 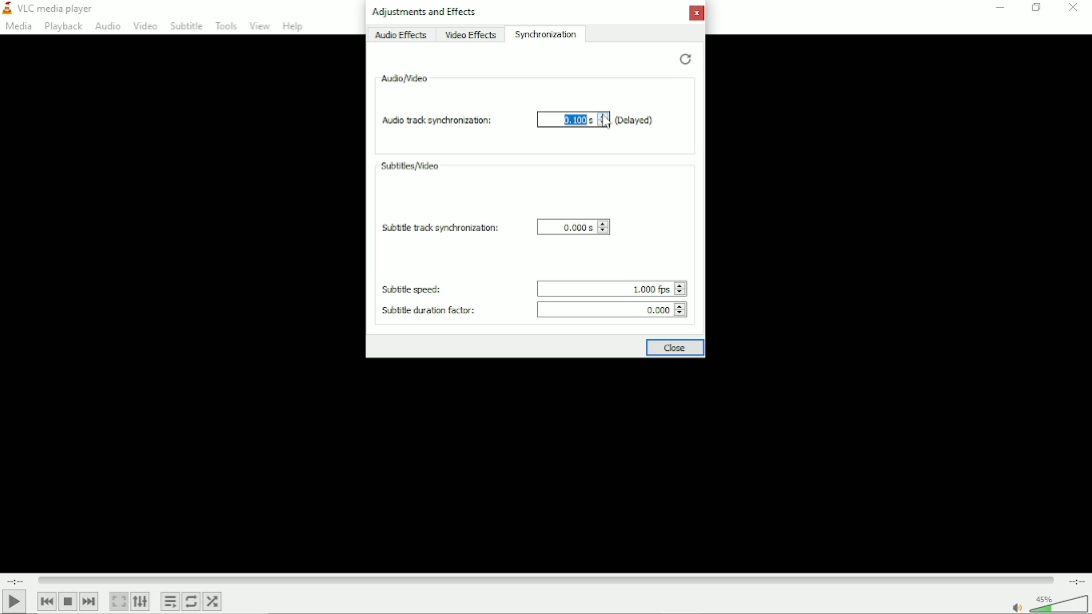 I want to click on Synchronization, so click(x=547, y=34).